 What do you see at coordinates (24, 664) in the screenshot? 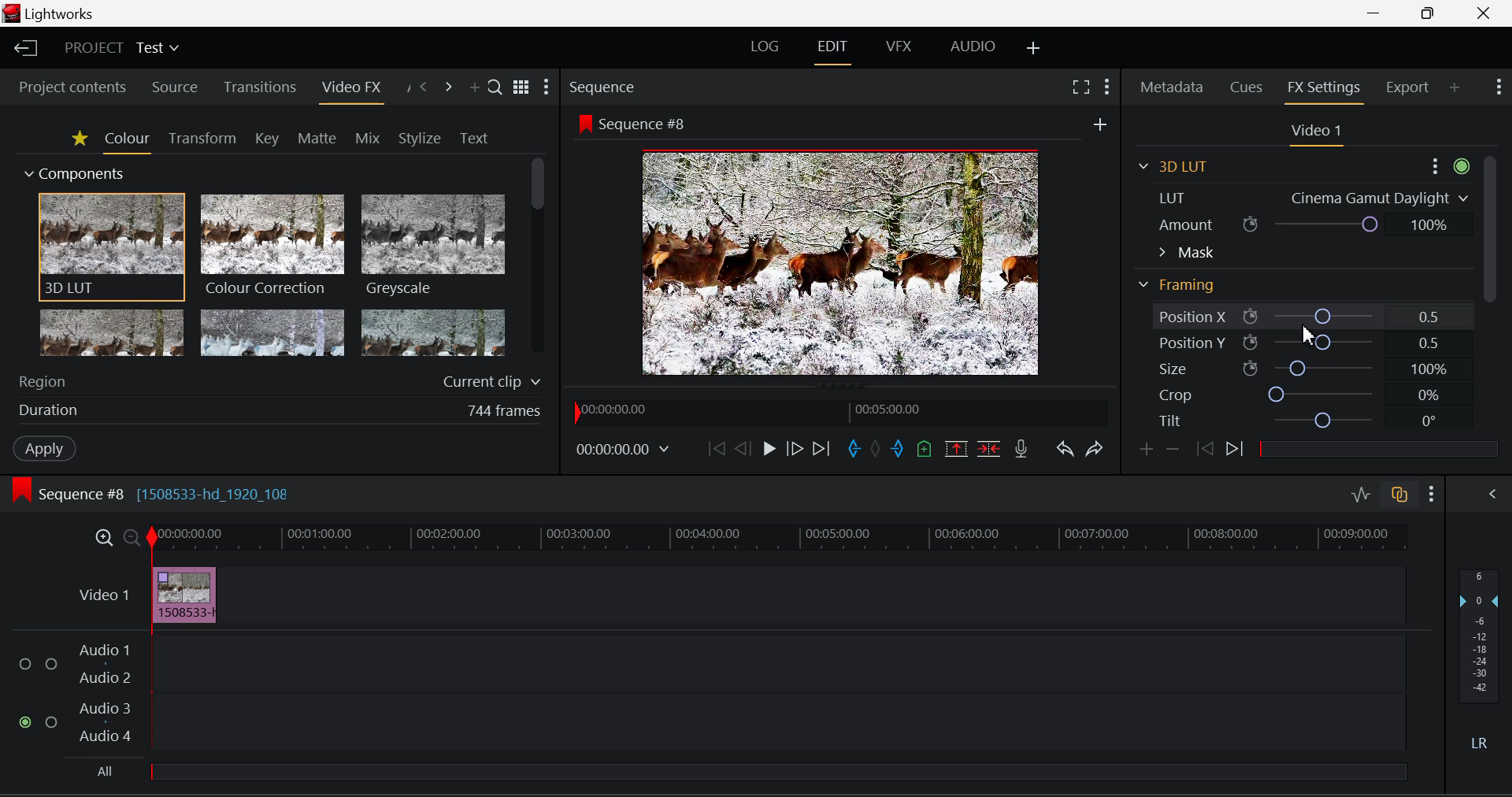
I see `Audio Input Checkbox` at bounding box center [24, 664].